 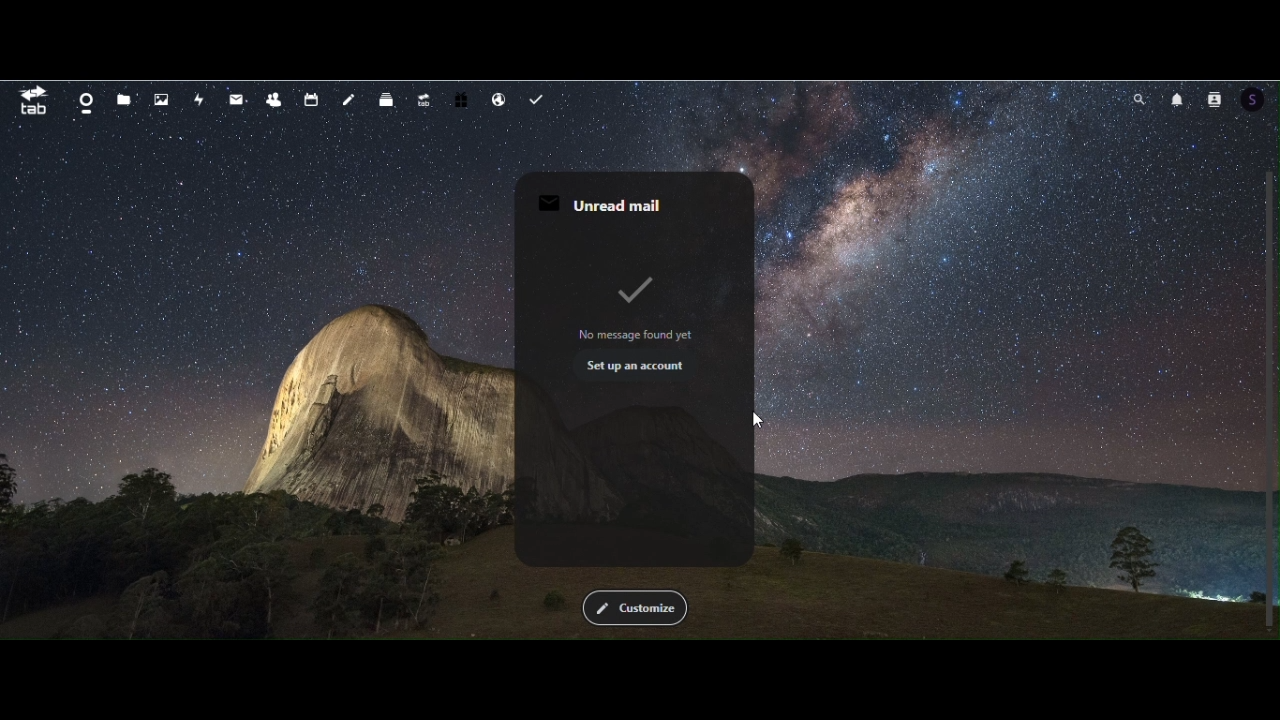 I want to click on dashboard, so click(x=87, y=101).